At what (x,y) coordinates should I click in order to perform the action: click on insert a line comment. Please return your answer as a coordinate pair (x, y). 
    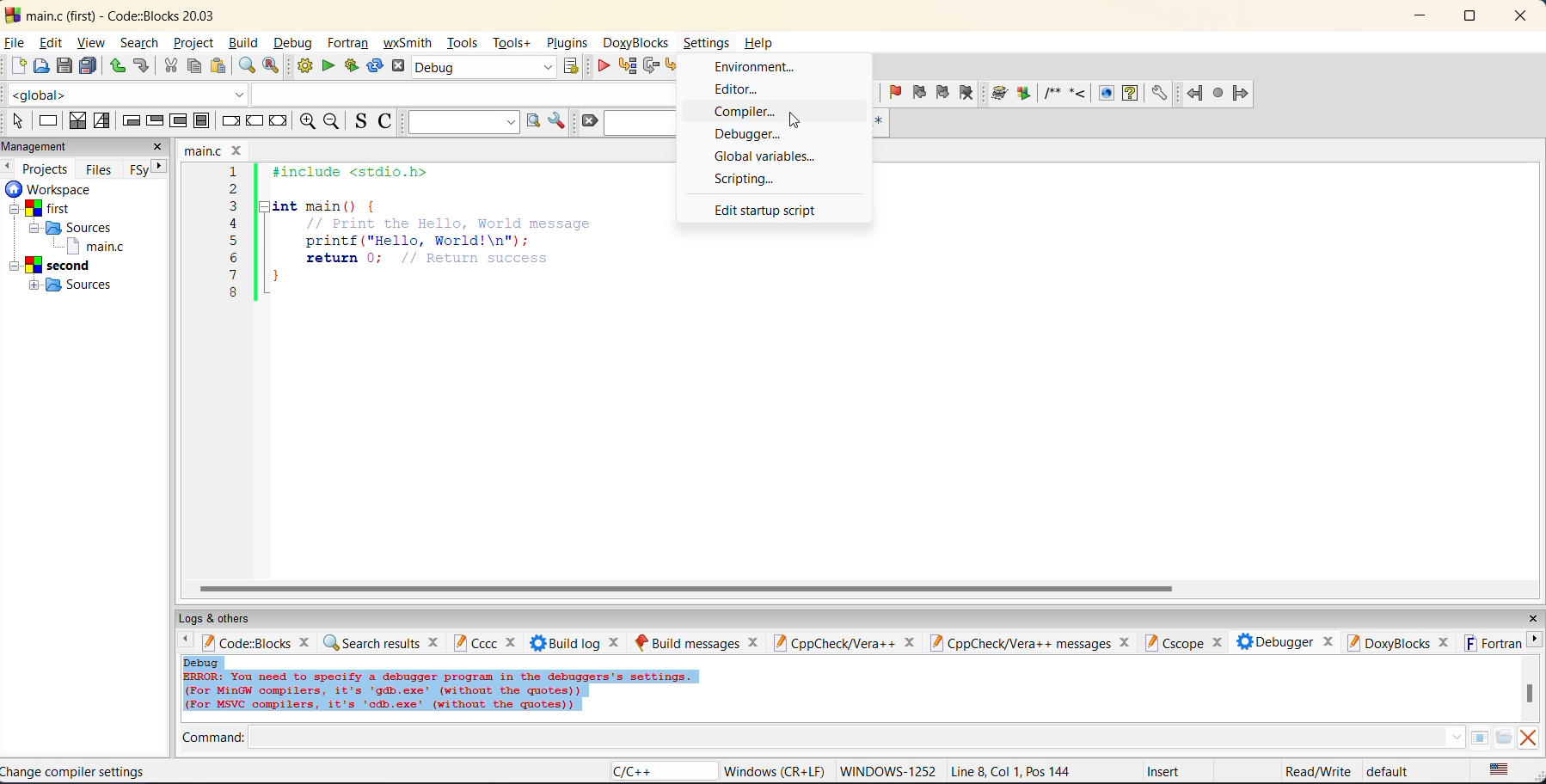
    Looking at the image, I should click on (1077, 94).